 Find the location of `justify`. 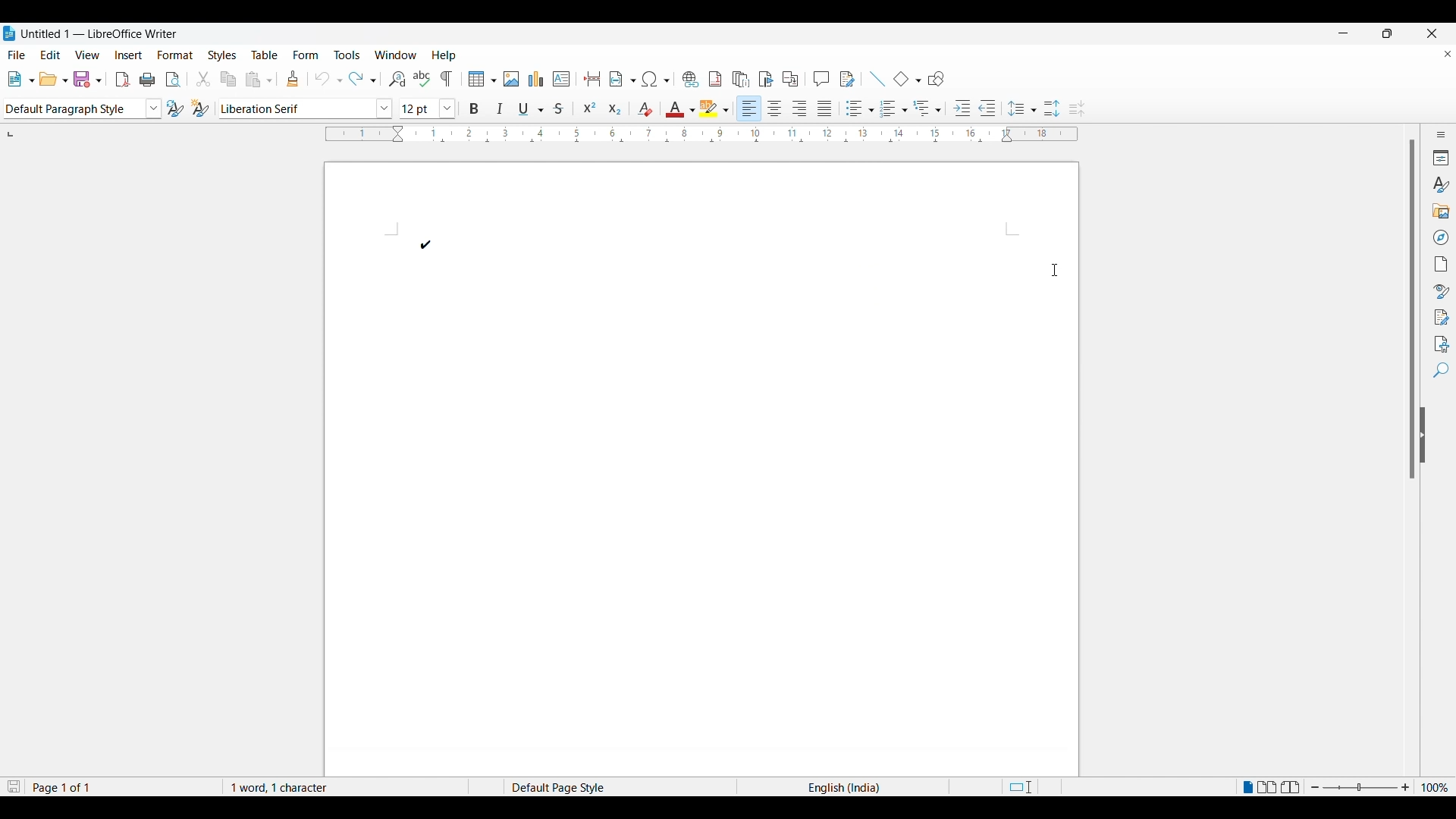

justify is located at coordinates (827, 106).